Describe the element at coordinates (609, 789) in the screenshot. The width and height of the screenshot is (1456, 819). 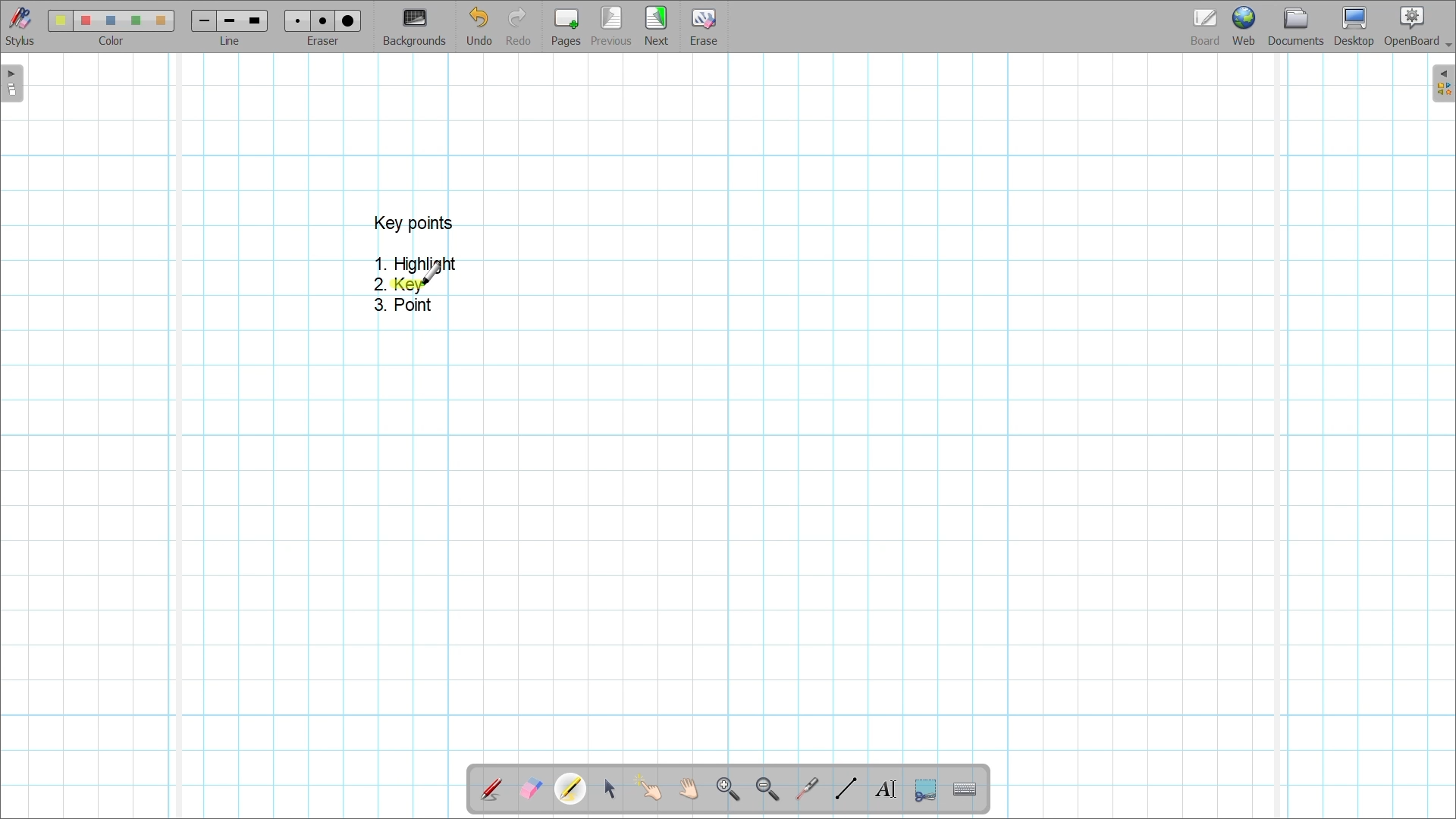
I see `Select and modify objects highlighted` at that location.